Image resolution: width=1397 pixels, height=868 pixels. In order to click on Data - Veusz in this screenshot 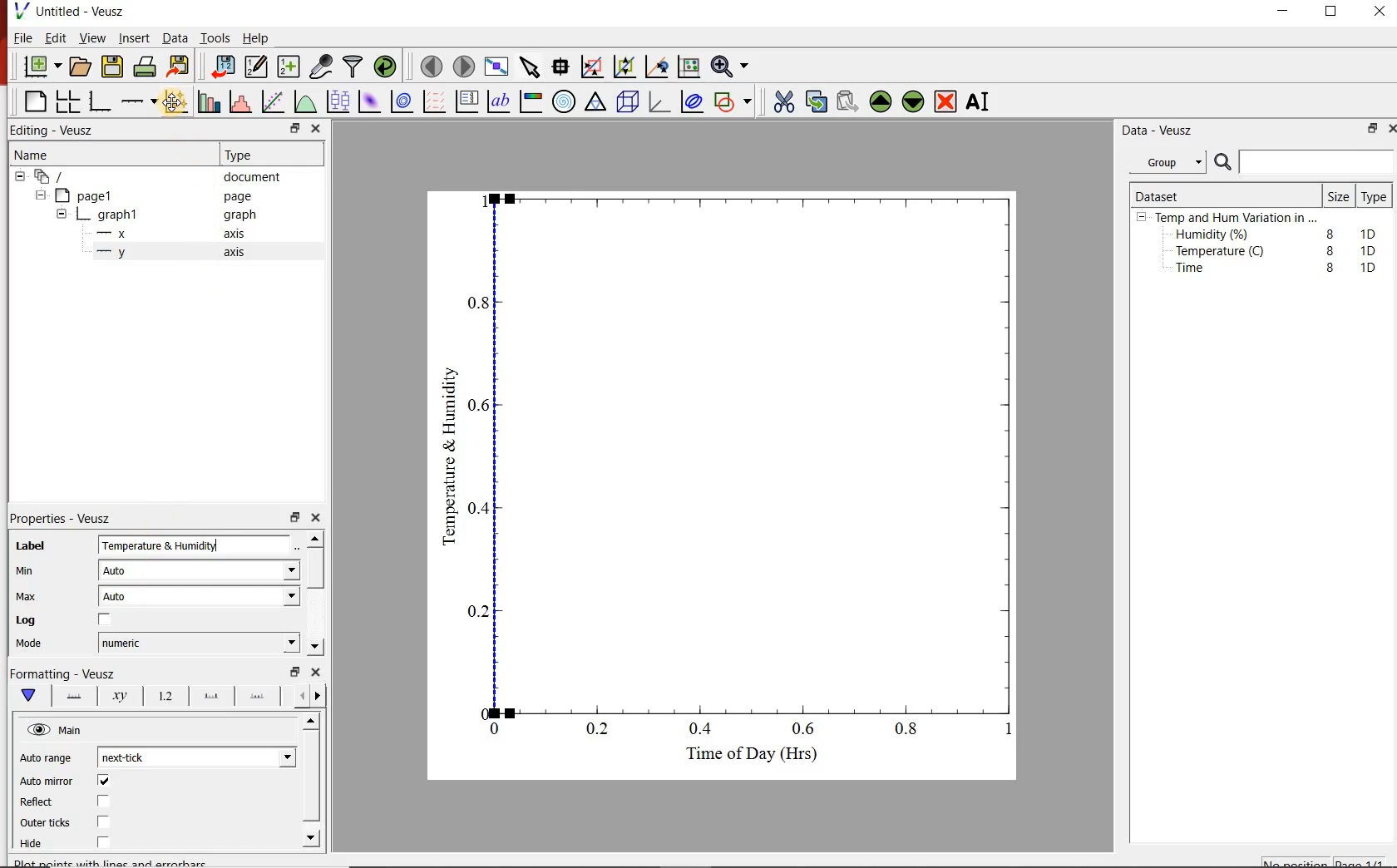, I will do `click(1161, 131)`.